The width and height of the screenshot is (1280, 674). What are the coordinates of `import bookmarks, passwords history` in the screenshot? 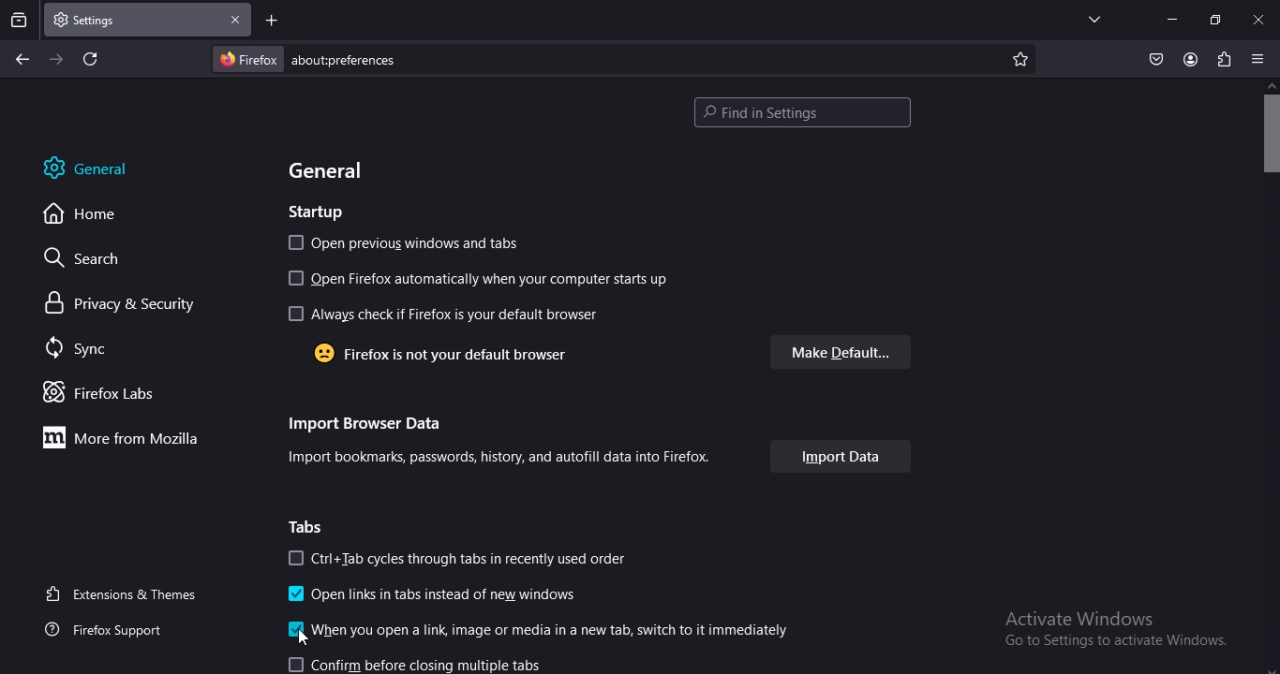 It's located at (518, 455).